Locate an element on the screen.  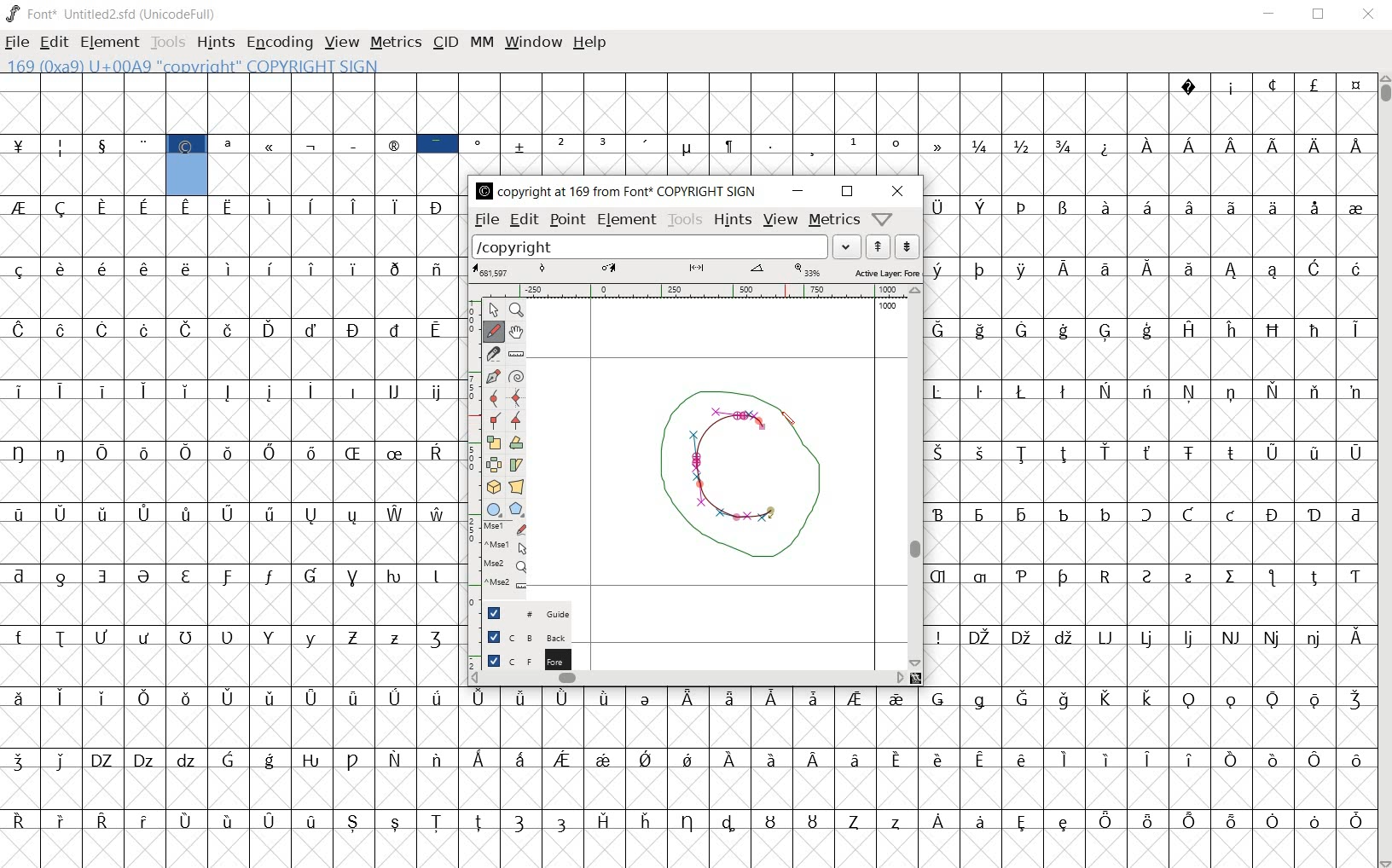
help is located at coordinates (589, 43).